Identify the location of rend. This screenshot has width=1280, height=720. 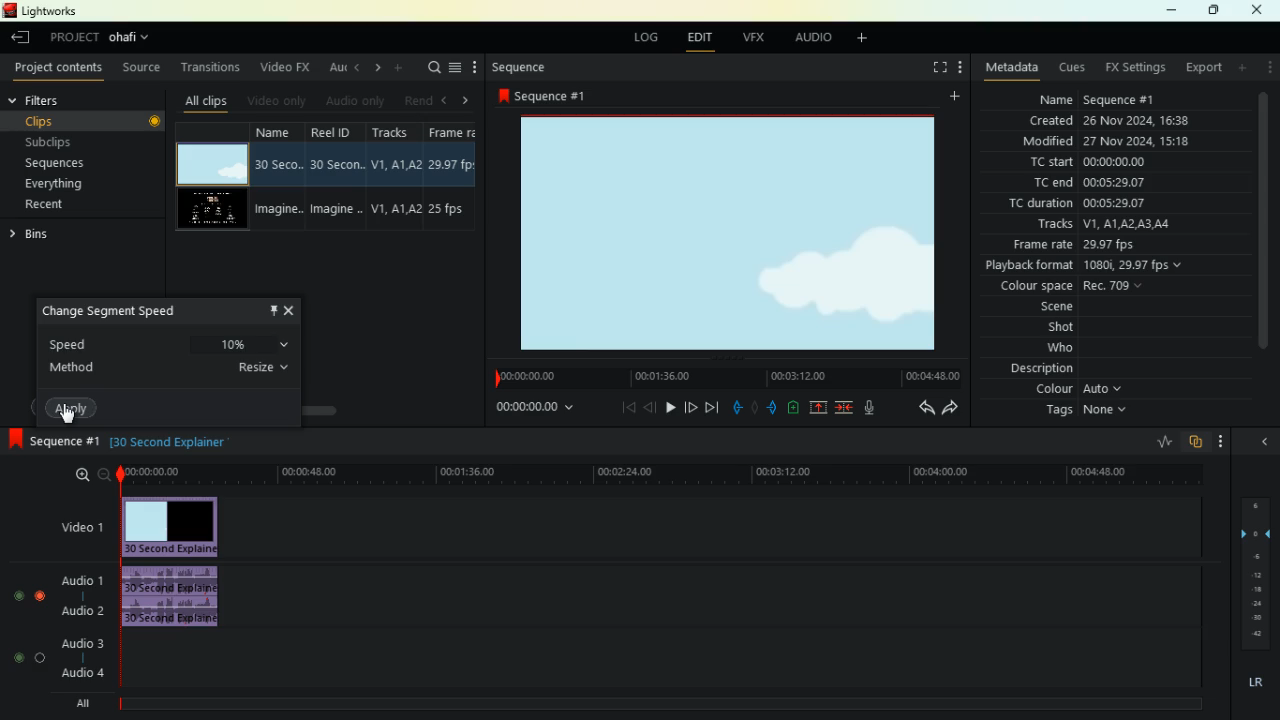
(416, 100).